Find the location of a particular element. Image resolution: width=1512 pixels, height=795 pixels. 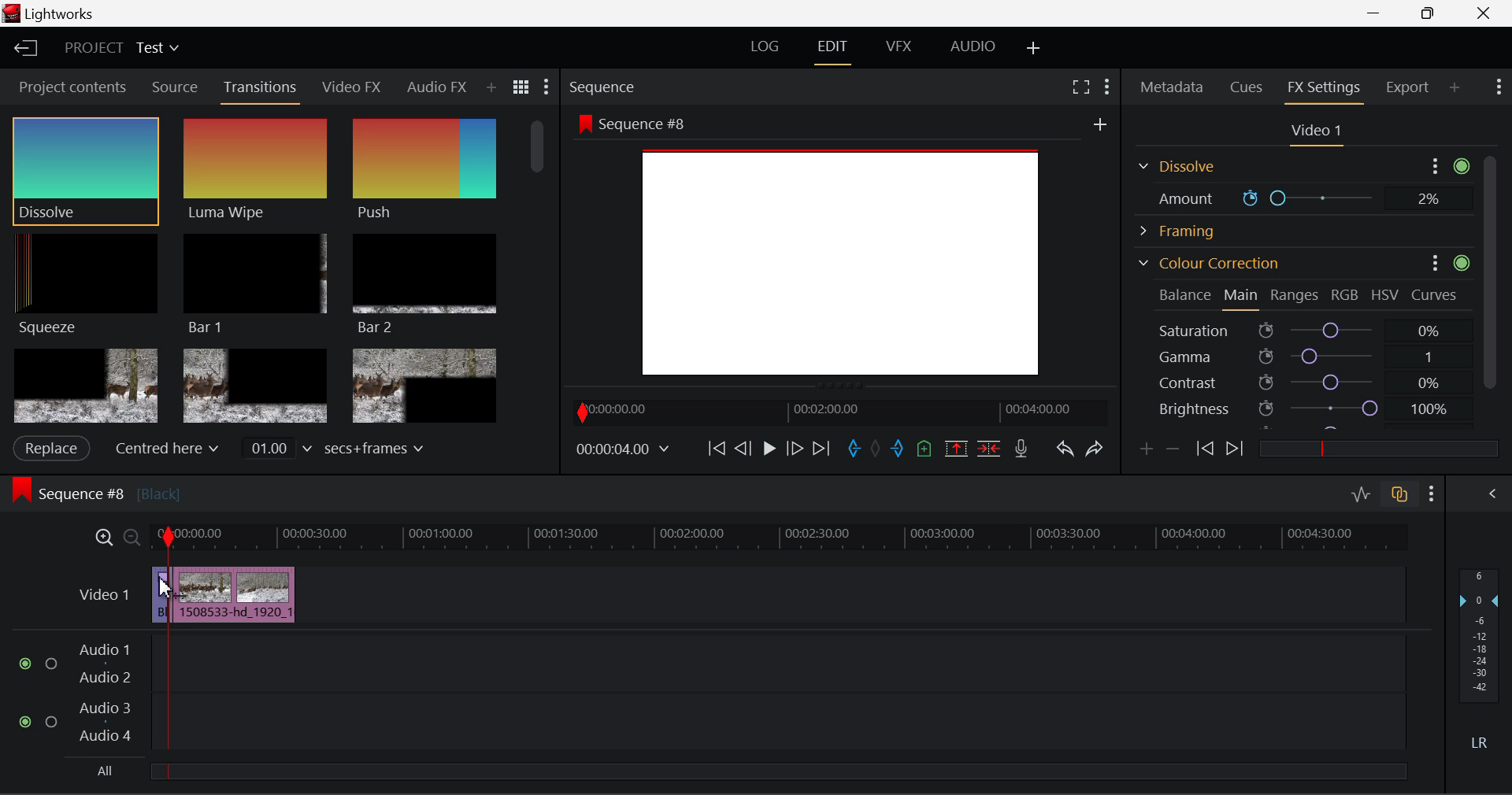

Add keyframe is located at coordinates (1143, 452).